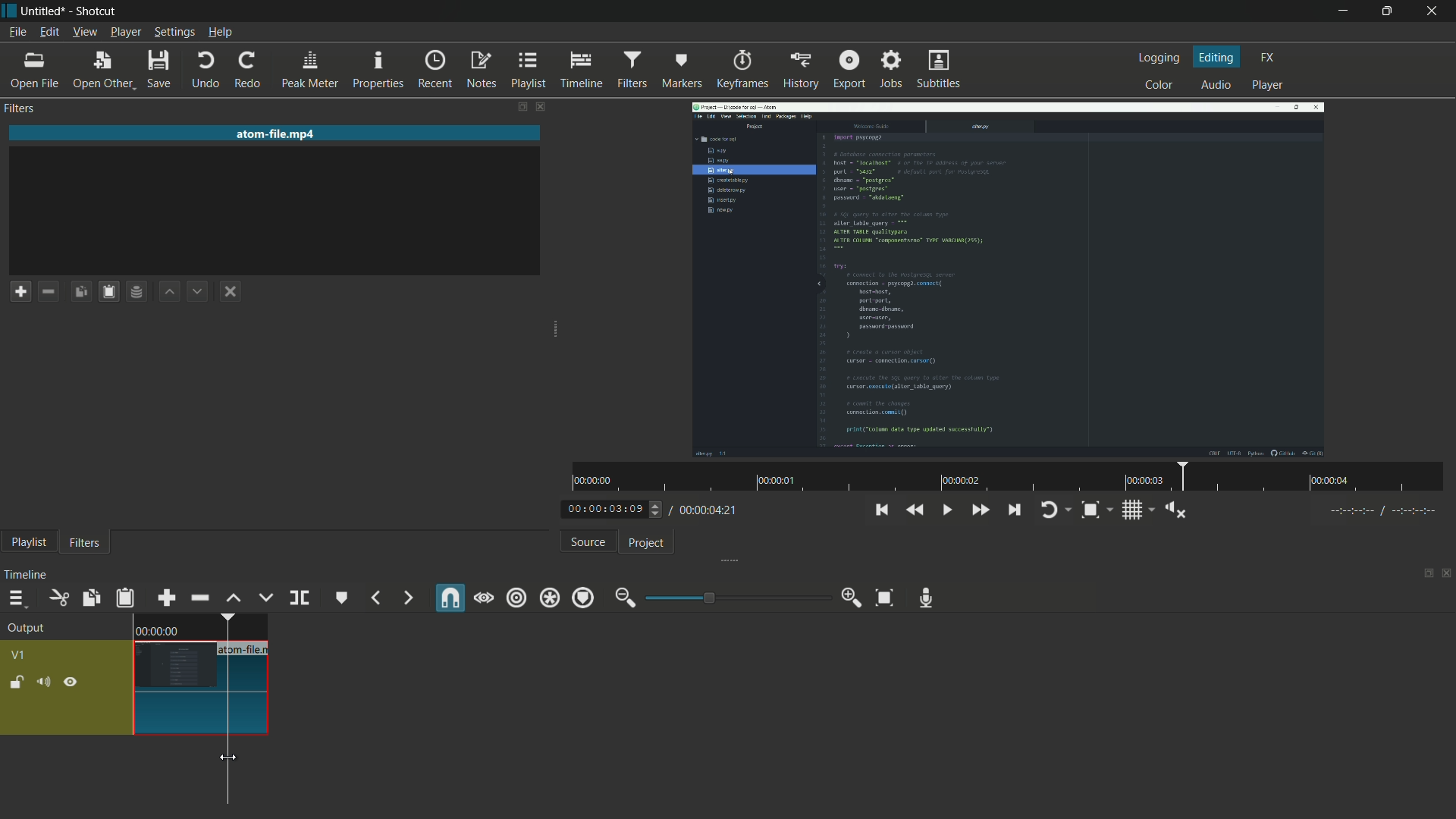 The width and height of the screenshot is (1456, 819). What do you see at coordinates (1159, 57) in the screenshot?
I see `logging` at bounding box center [1159, 57].